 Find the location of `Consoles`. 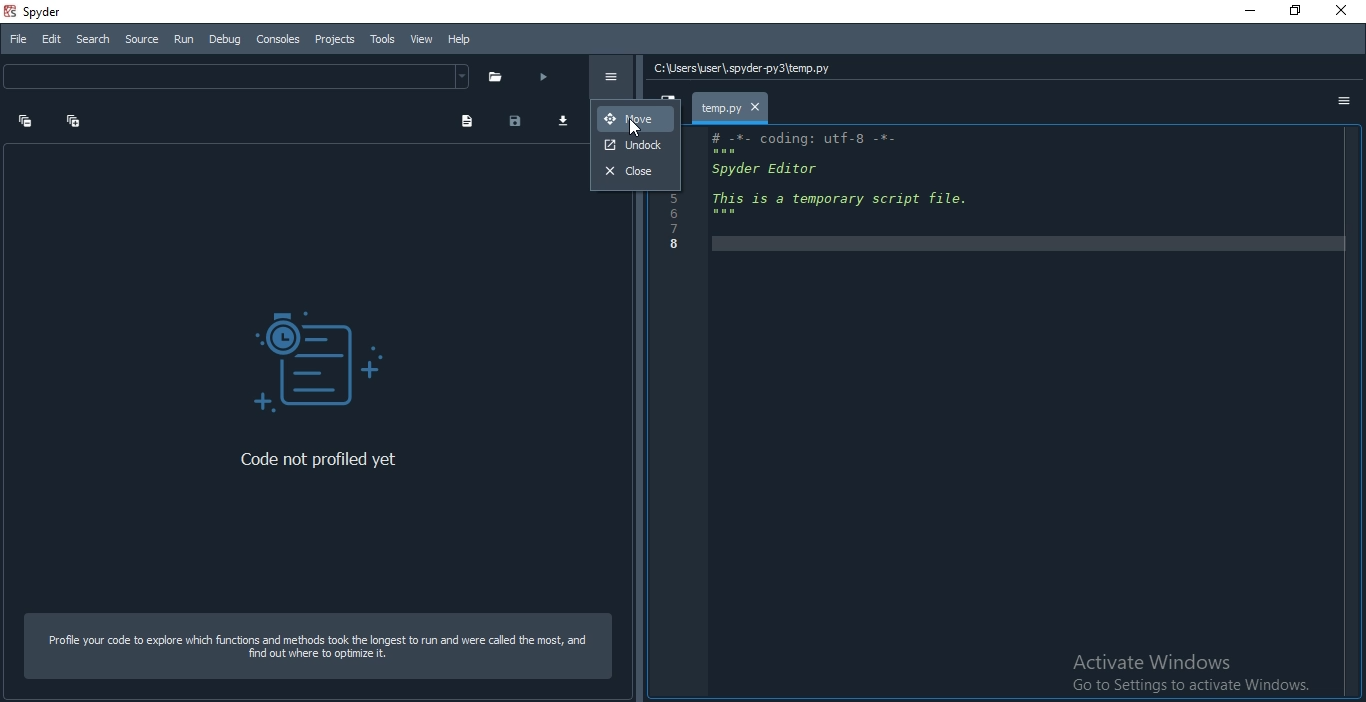

Consoles is located at coordinates (277, 40).